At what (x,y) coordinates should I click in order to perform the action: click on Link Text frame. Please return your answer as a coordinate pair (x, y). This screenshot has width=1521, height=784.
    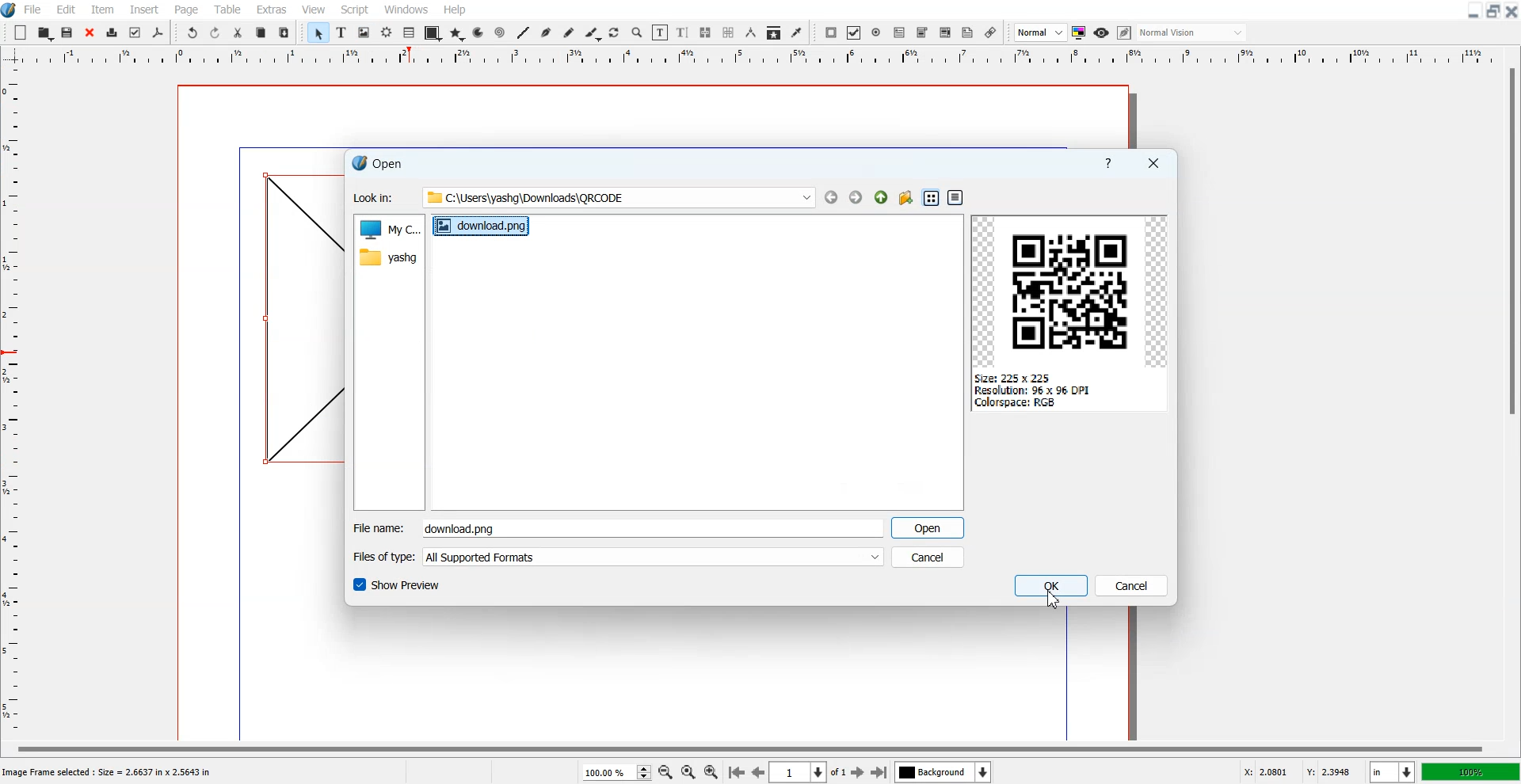
    Looking at the image, I should click on (705, 32).